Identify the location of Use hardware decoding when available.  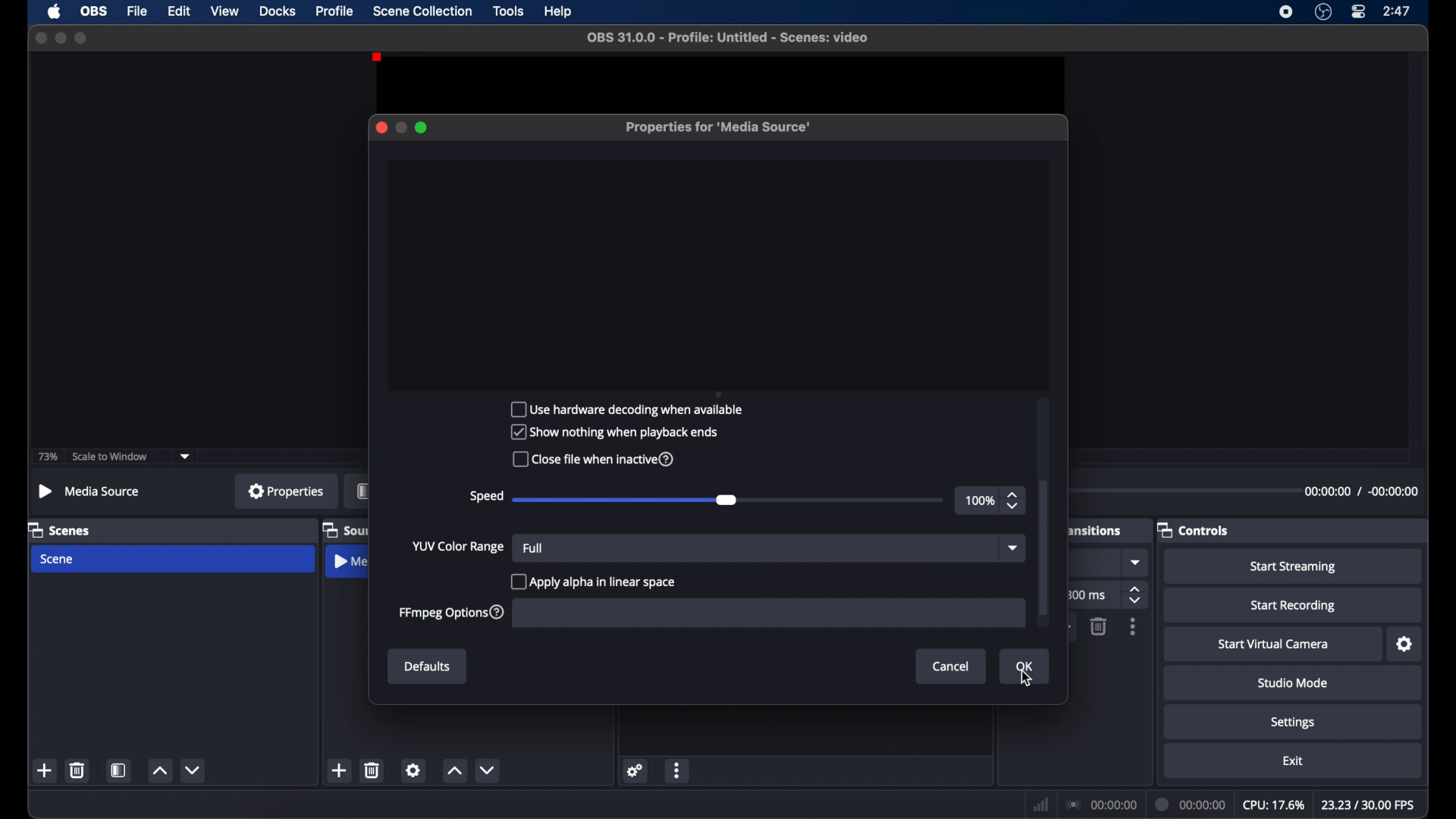
(631, 409).